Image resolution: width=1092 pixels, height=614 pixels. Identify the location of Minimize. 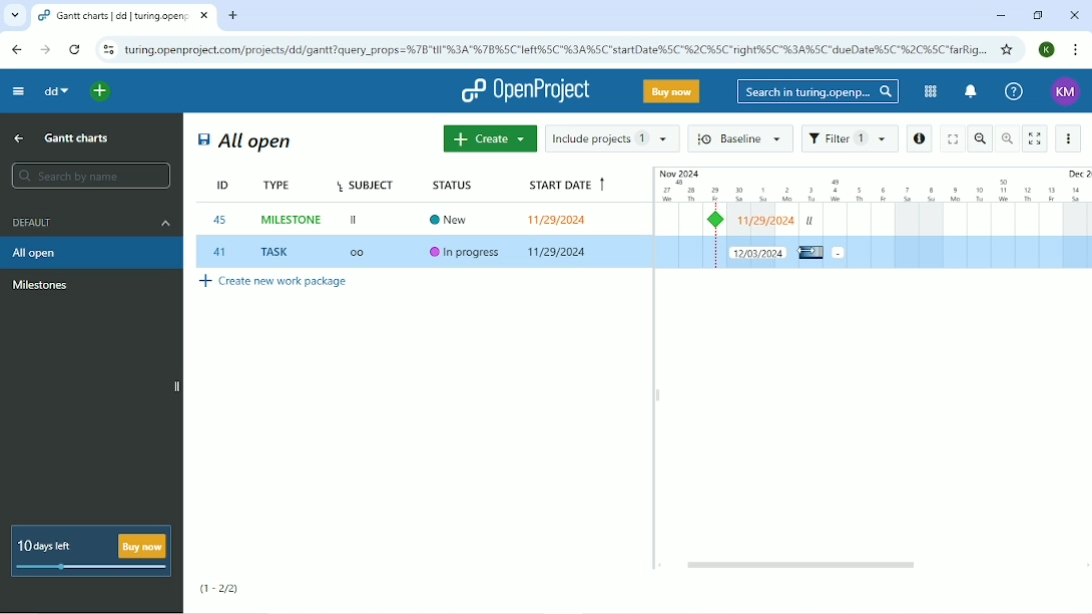
(998, 16).